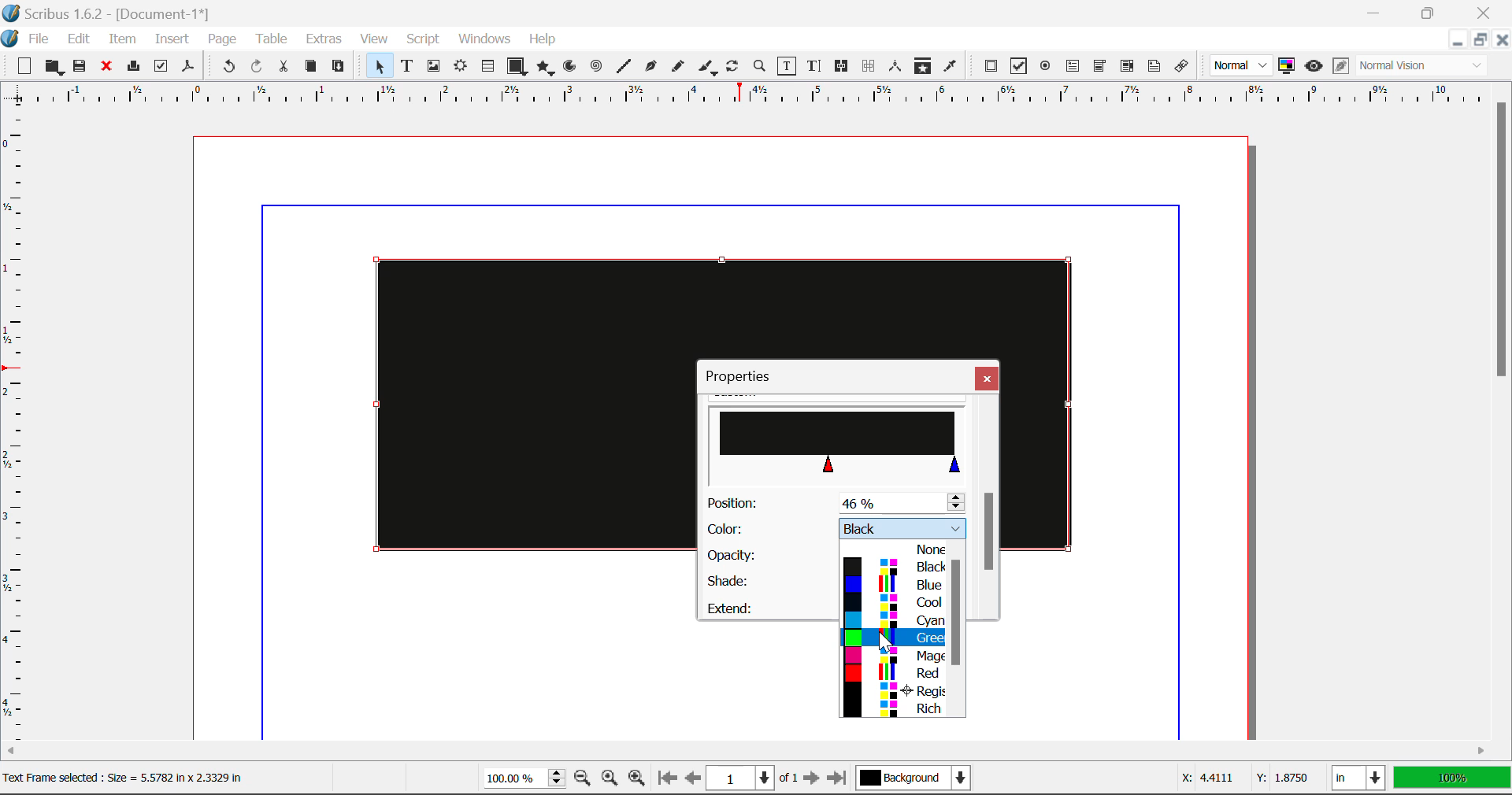 The height and width of the screenshot is (795, 1512). What do you see at coordinates (339, 67) in the screenshot?
I see `Paste` at bounding box center [339, 67].